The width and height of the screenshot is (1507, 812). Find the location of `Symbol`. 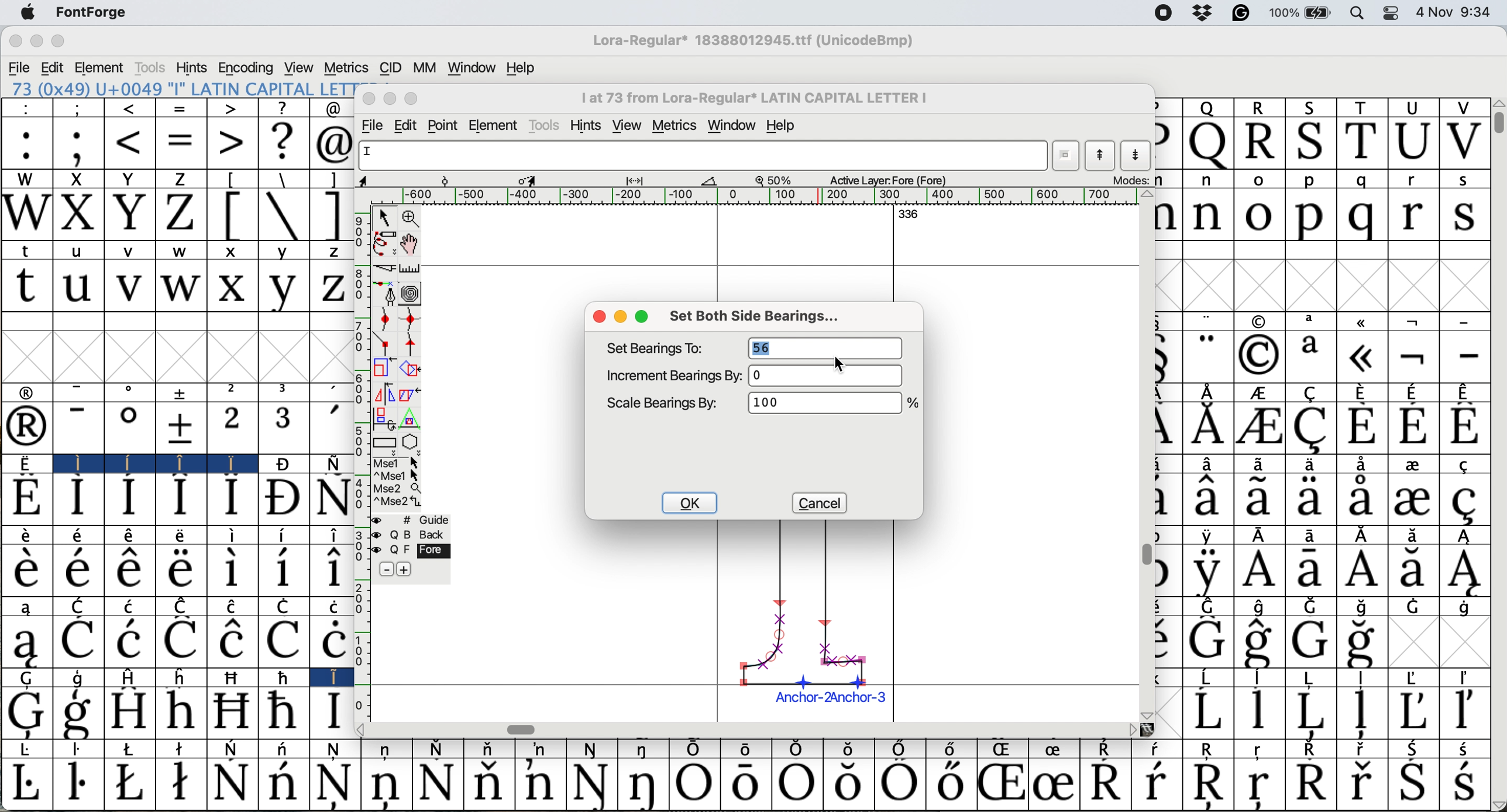

Symbol is located at coordinates (25, 642).